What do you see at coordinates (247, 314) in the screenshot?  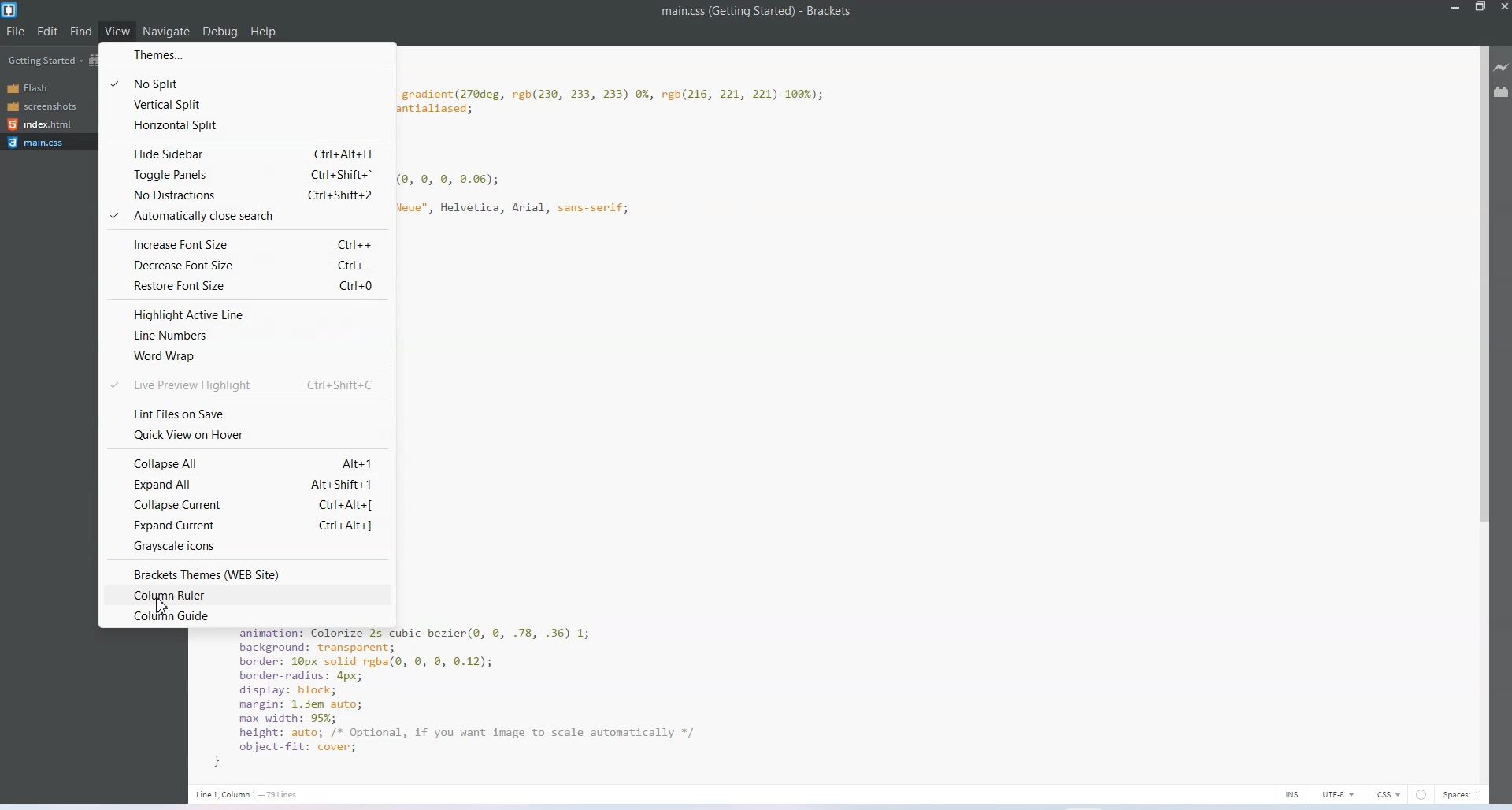 I see `Highlight active line` at bounding box center [247, 314].